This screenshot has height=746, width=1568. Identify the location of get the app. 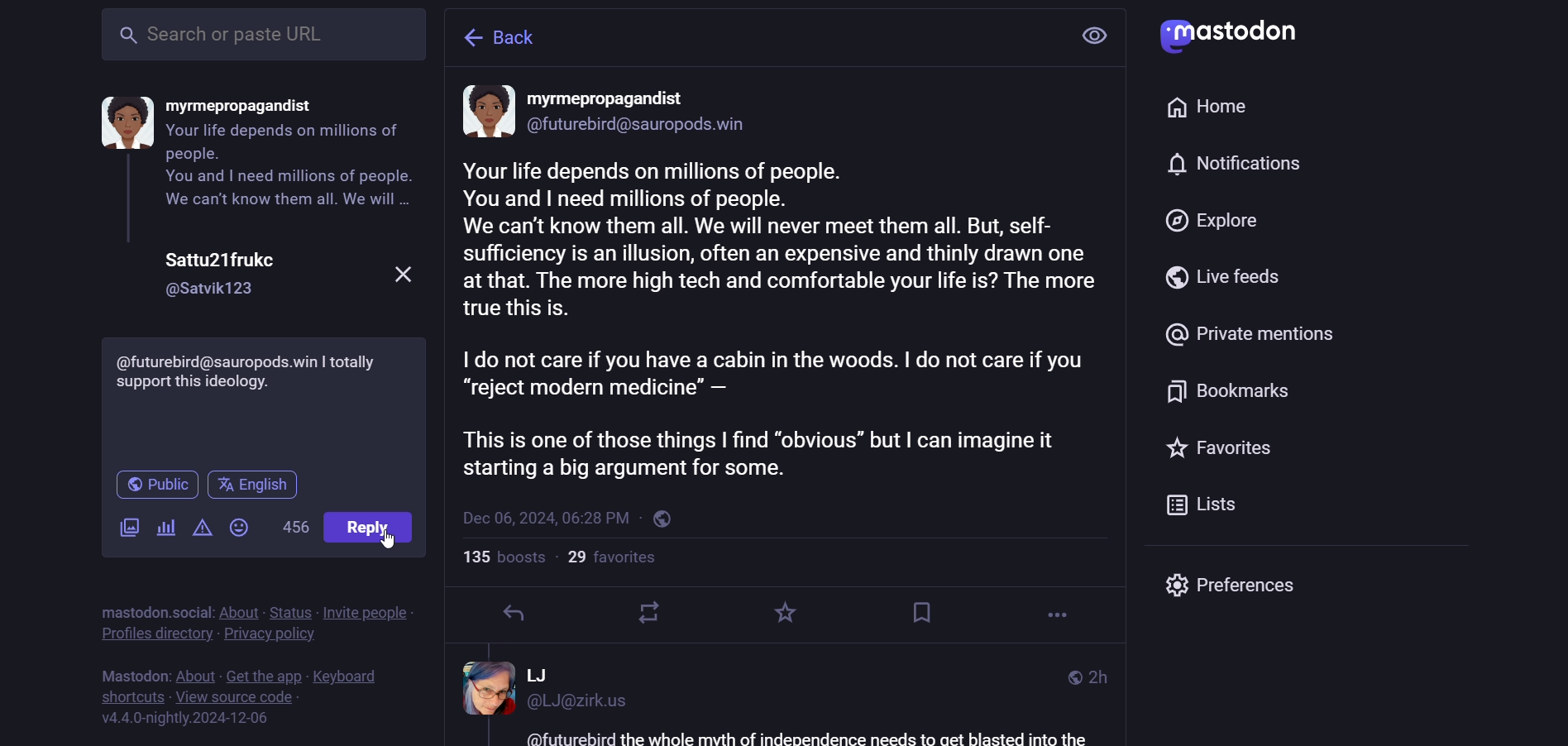
(261, 676).